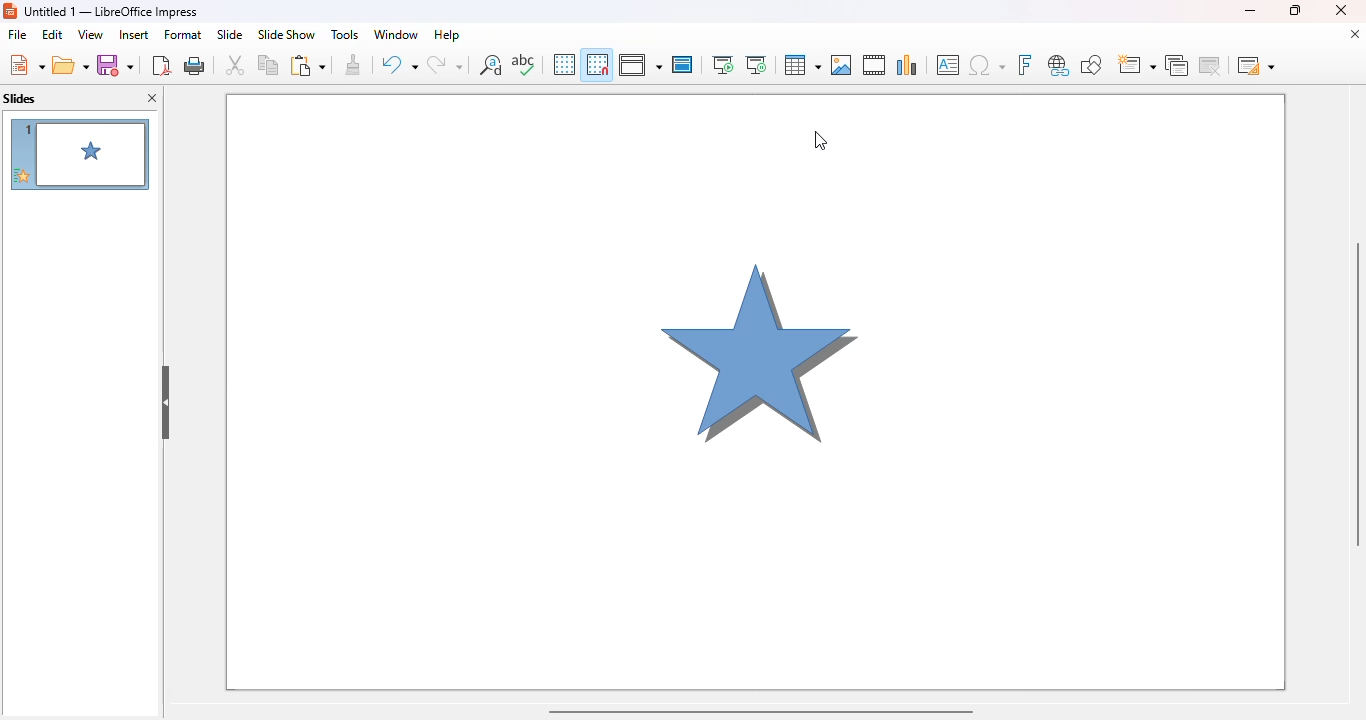  I want to click on copy, so click(268, 64).